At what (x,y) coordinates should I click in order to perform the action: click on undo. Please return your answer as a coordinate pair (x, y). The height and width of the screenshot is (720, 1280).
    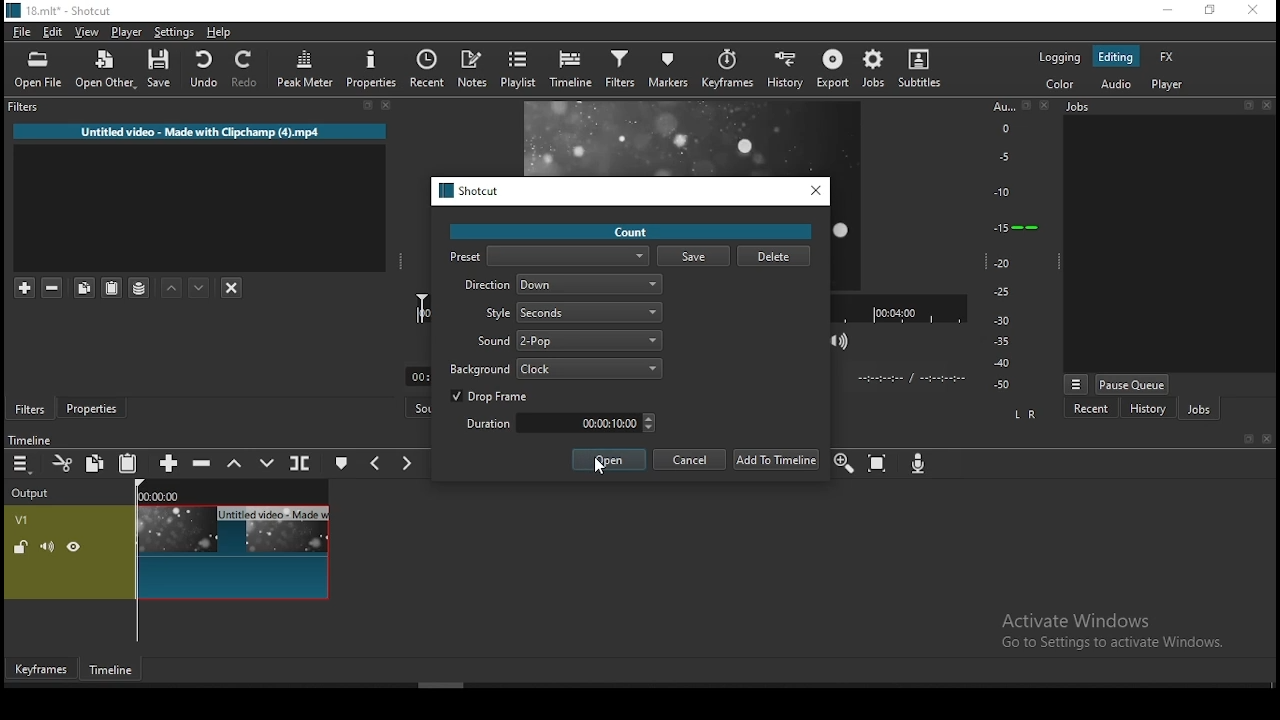
    Looking at the image, I should click on (203, 69).